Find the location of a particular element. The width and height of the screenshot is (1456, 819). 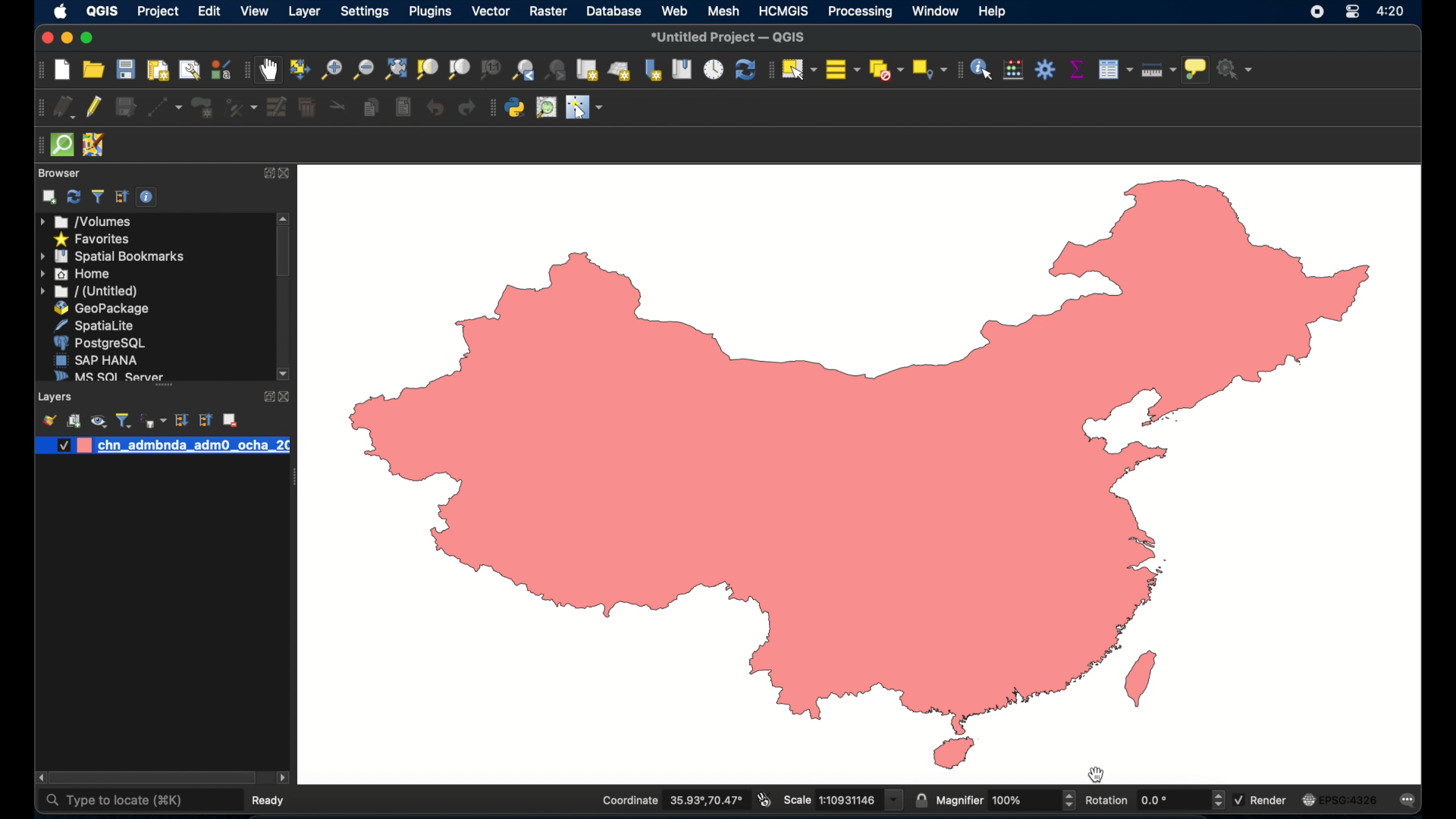

no action selected is located at coordinates (1238, 68).